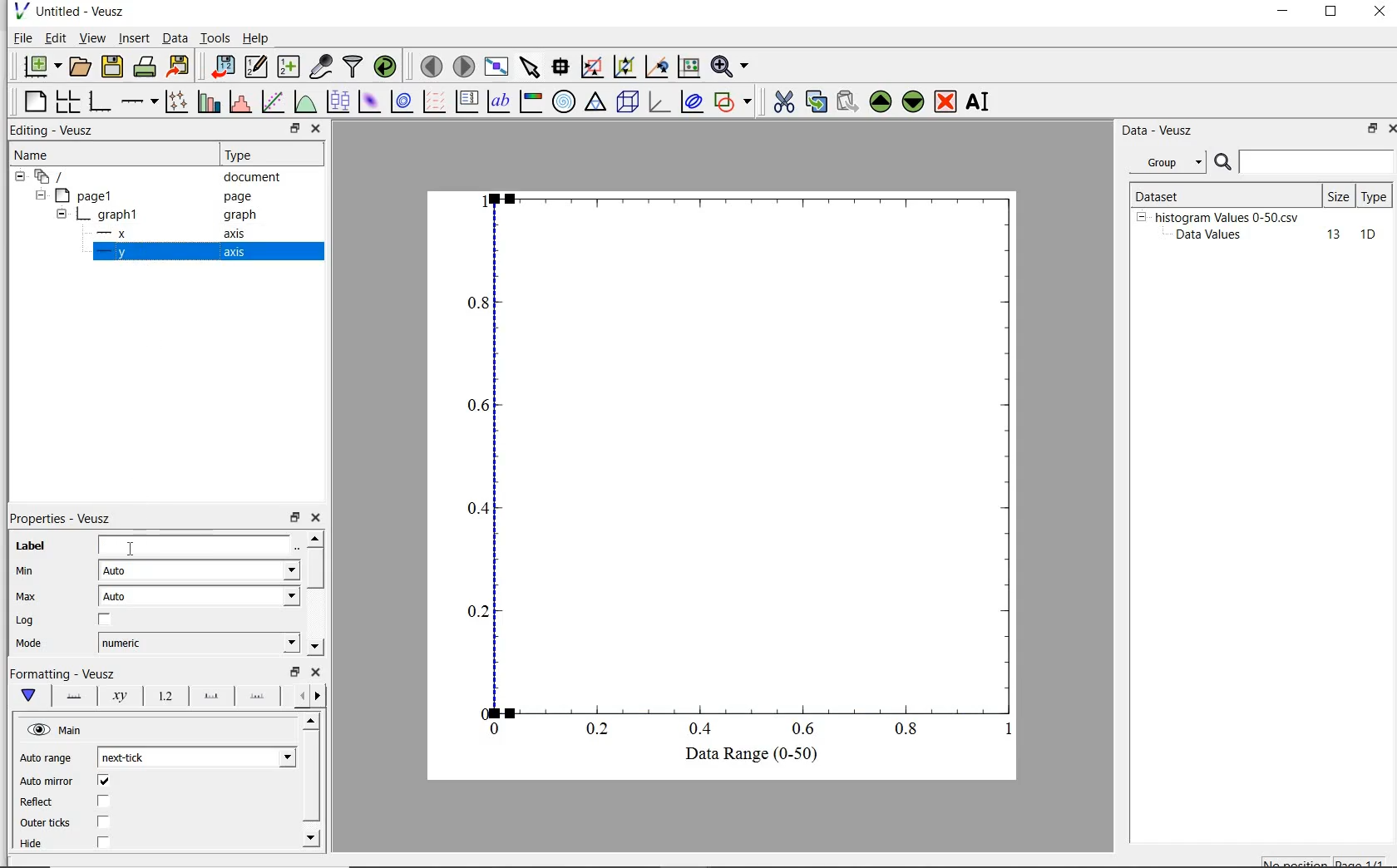 This screenshot has width=1397, height=868. What do you see at coordinates (30, 844) in the screenshot?
I see `| Hide` at bounding box center [30, 844].